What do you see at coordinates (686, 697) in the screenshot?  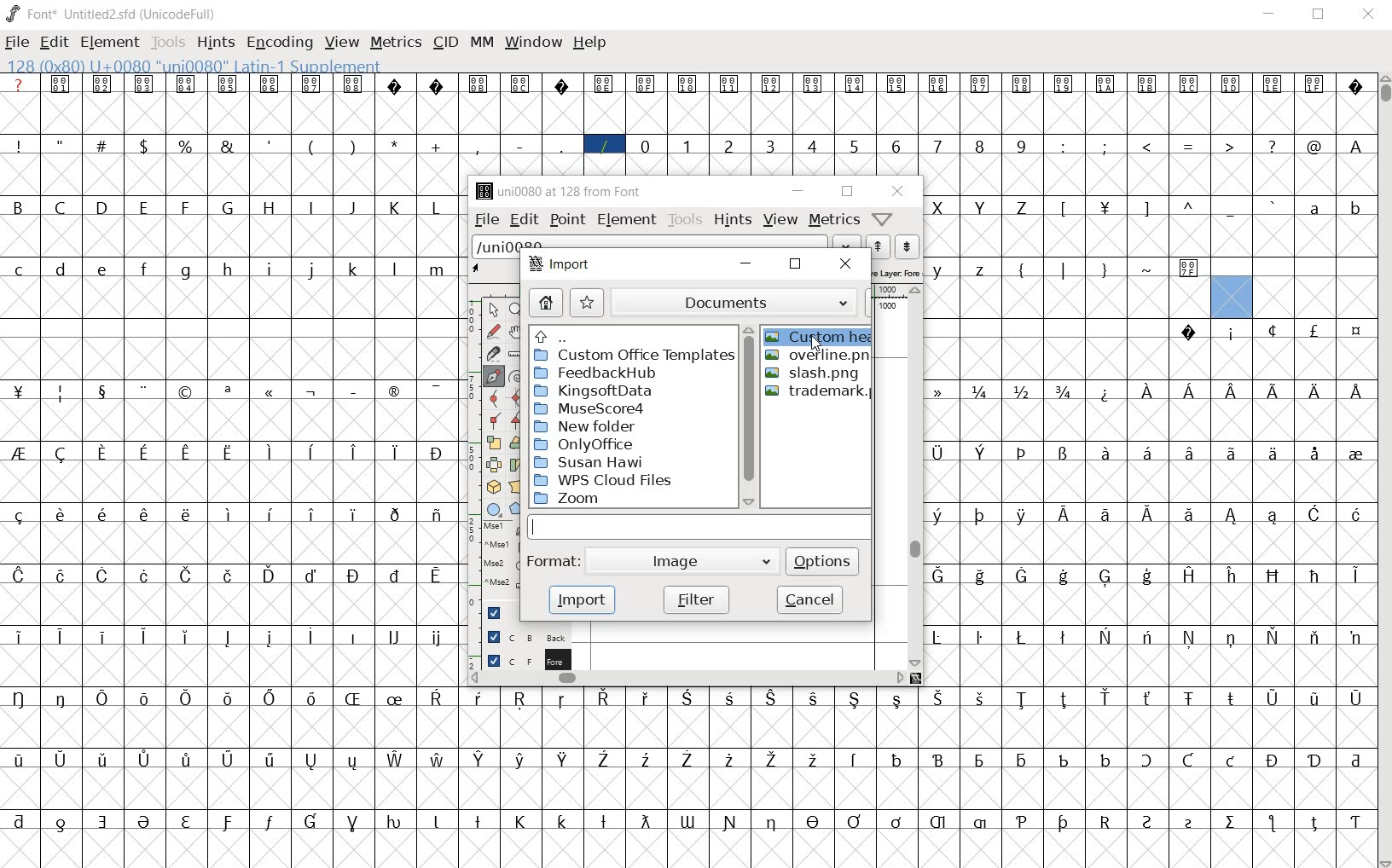 I see `glyph` at bounding box center [686, 697].